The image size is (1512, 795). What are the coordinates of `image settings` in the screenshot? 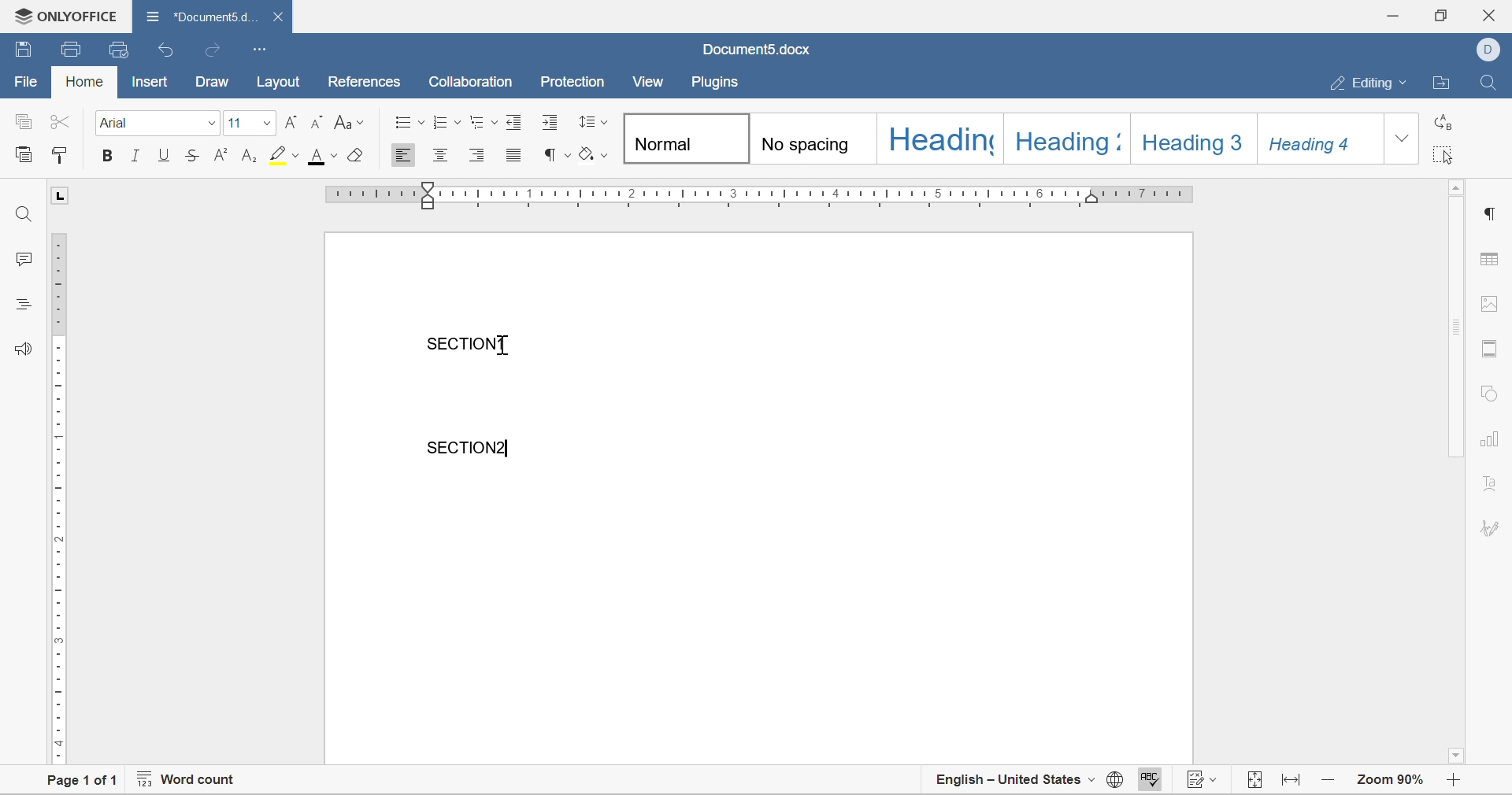 It's located at (1487, 303).